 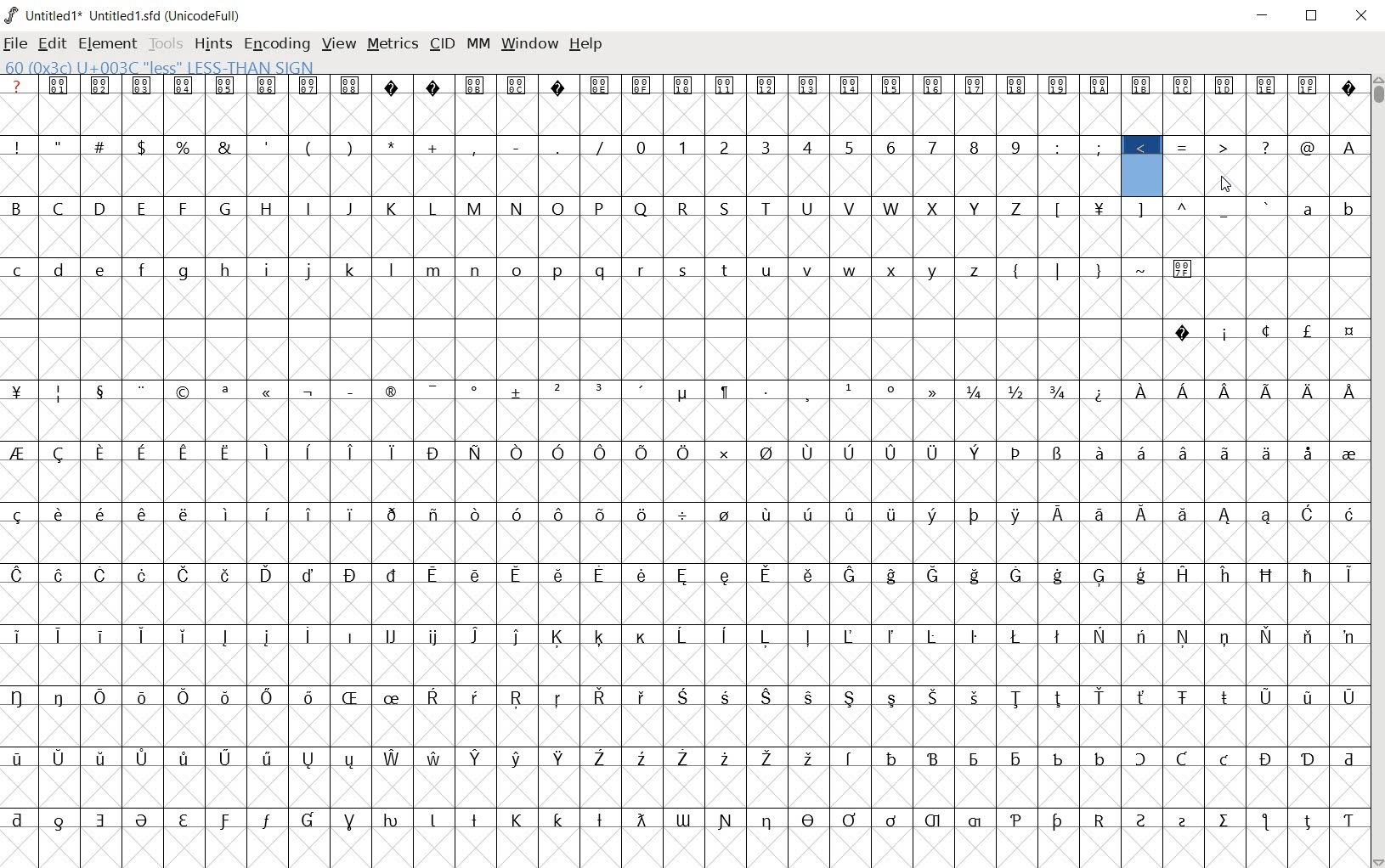 What do you see at coordinates (681, 465) in the screenshot?
I see `glyphs` at bounding box center [681, 465].